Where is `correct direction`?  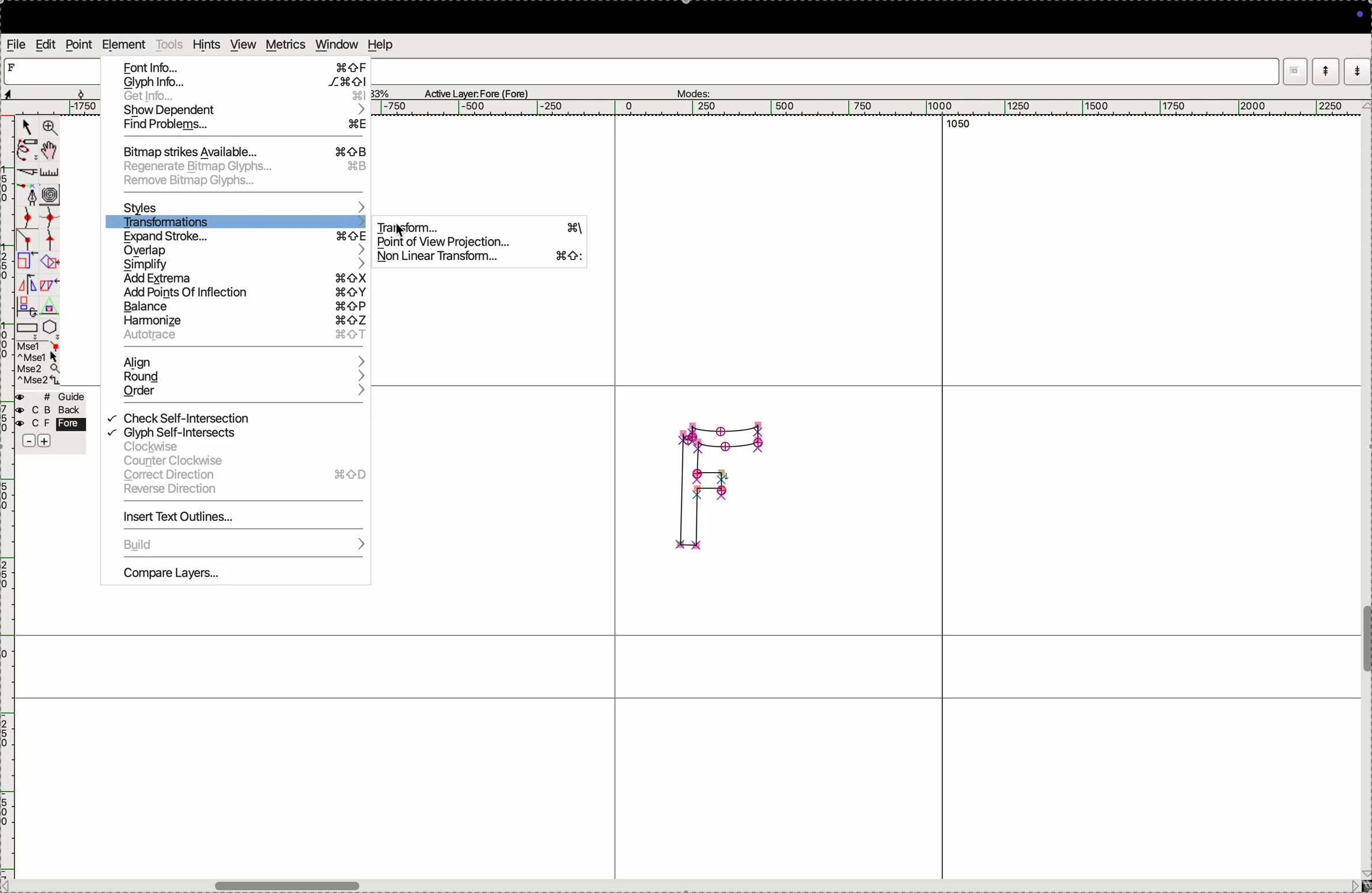
correct direction is located at coordinates (244, 476).